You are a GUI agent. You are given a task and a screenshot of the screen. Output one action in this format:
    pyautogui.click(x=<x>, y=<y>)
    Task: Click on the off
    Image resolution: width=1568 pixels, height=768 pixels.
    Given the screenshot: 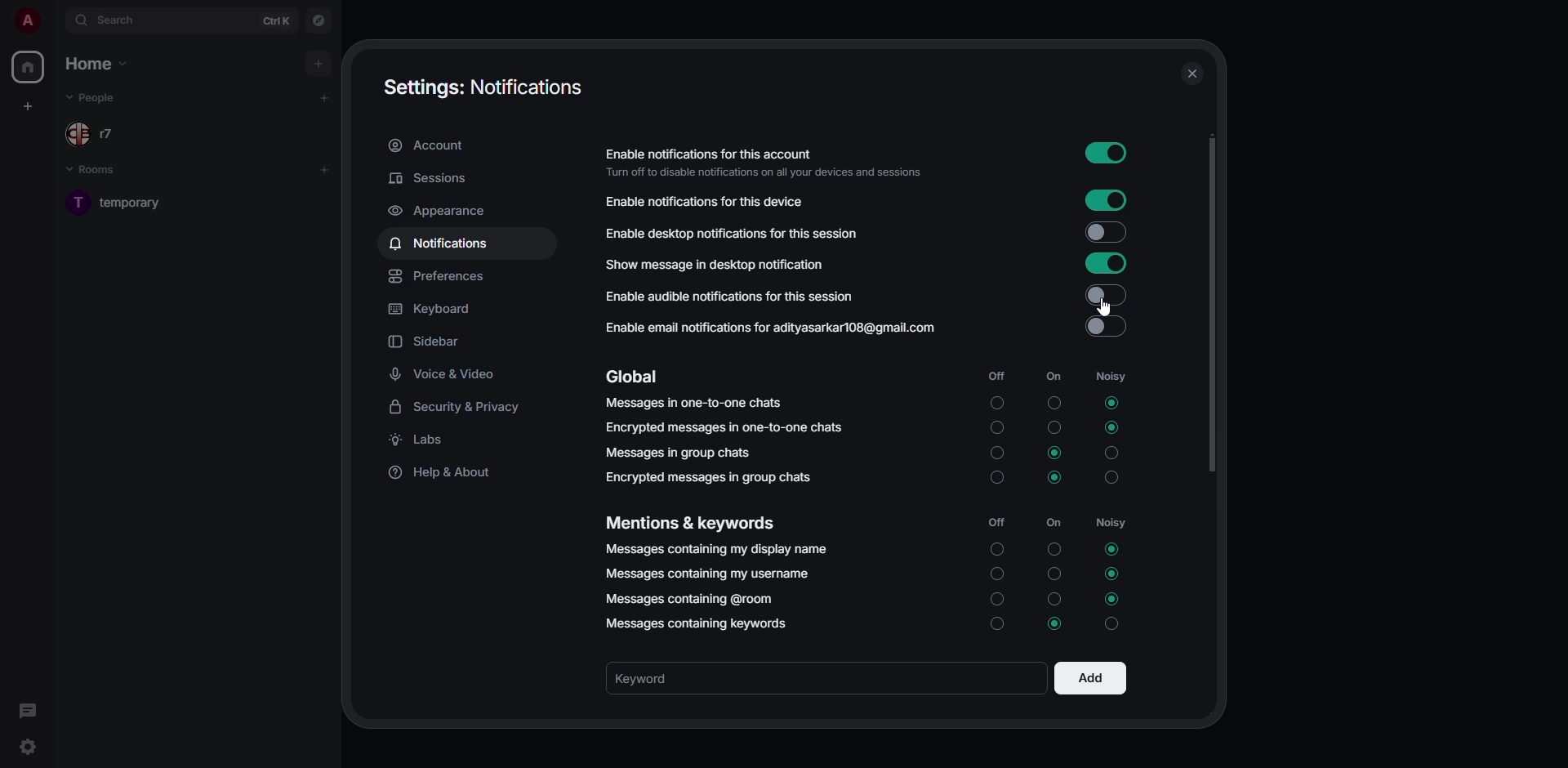 What is the action you would take?
    pyautogui.click(x=996, y=574)
    